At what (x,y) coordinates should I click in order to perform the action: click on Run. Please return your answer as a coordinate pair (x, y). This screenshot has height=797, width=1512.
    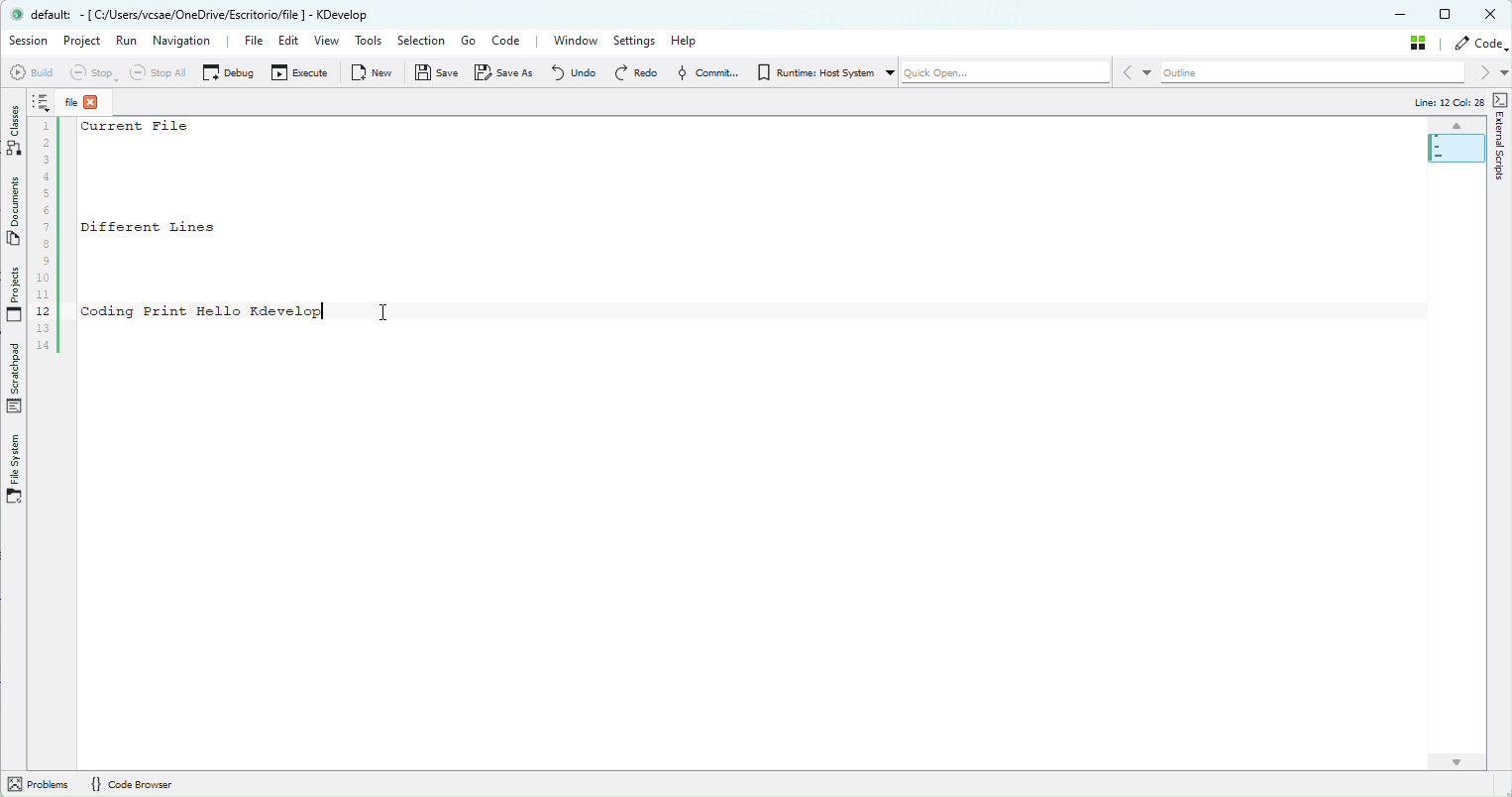
    Looking at the image, I should click on (123, 41).